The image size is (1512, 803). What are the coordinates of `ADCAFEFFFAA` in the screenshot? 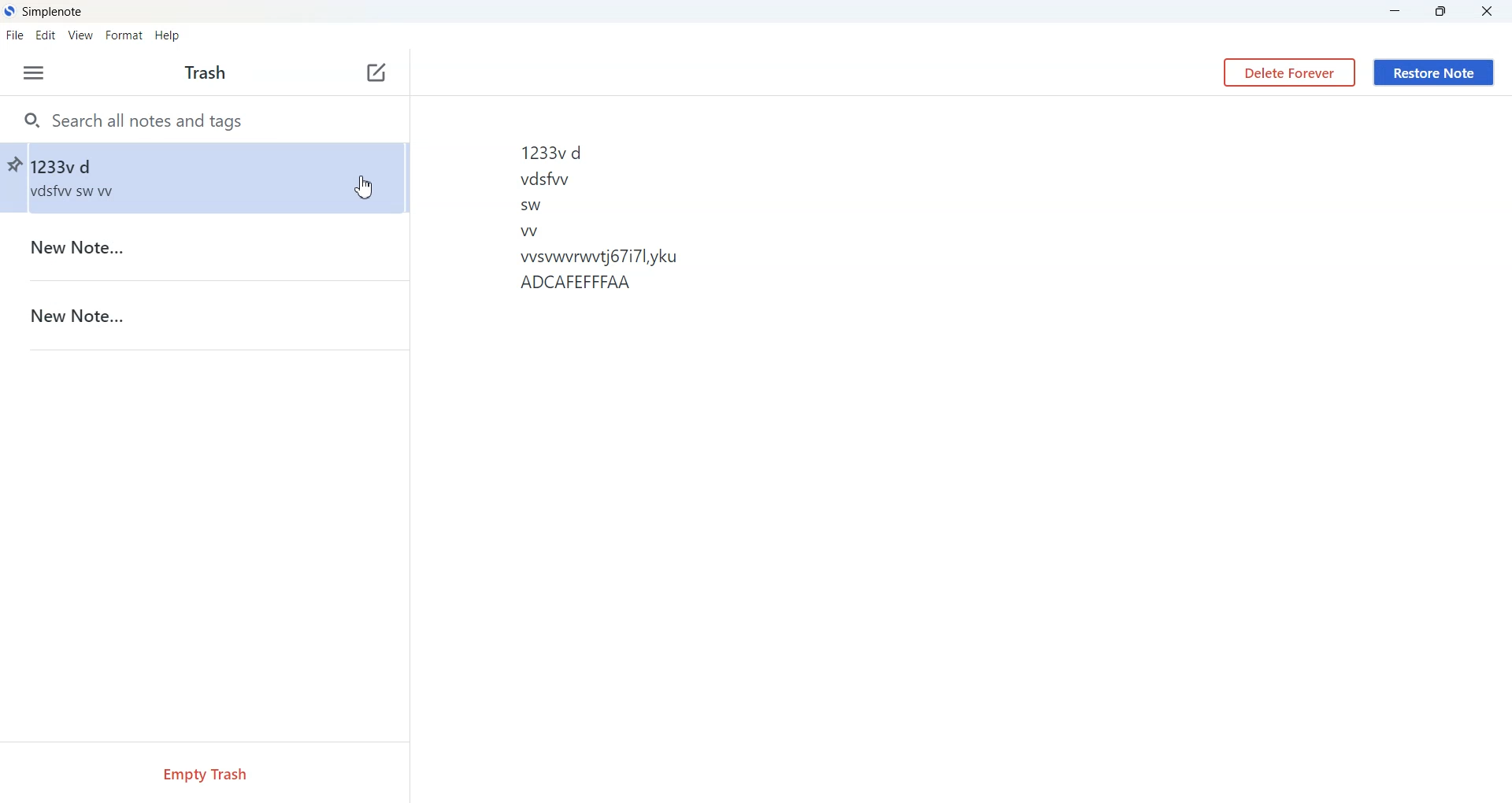 It's located at (598, 284).